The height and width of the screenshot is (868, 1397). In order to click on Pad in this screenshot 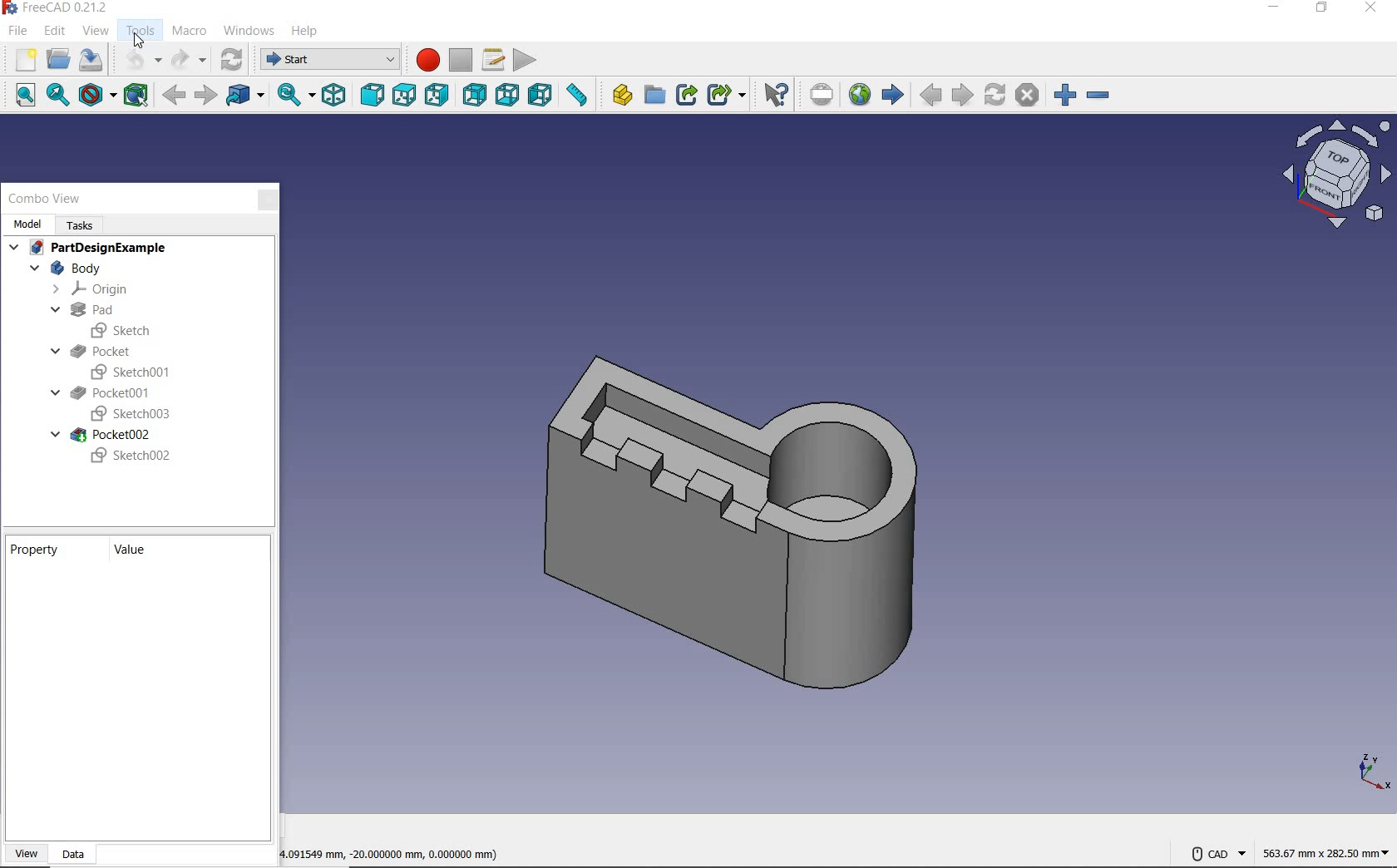, I will do `click(80, 310)`.